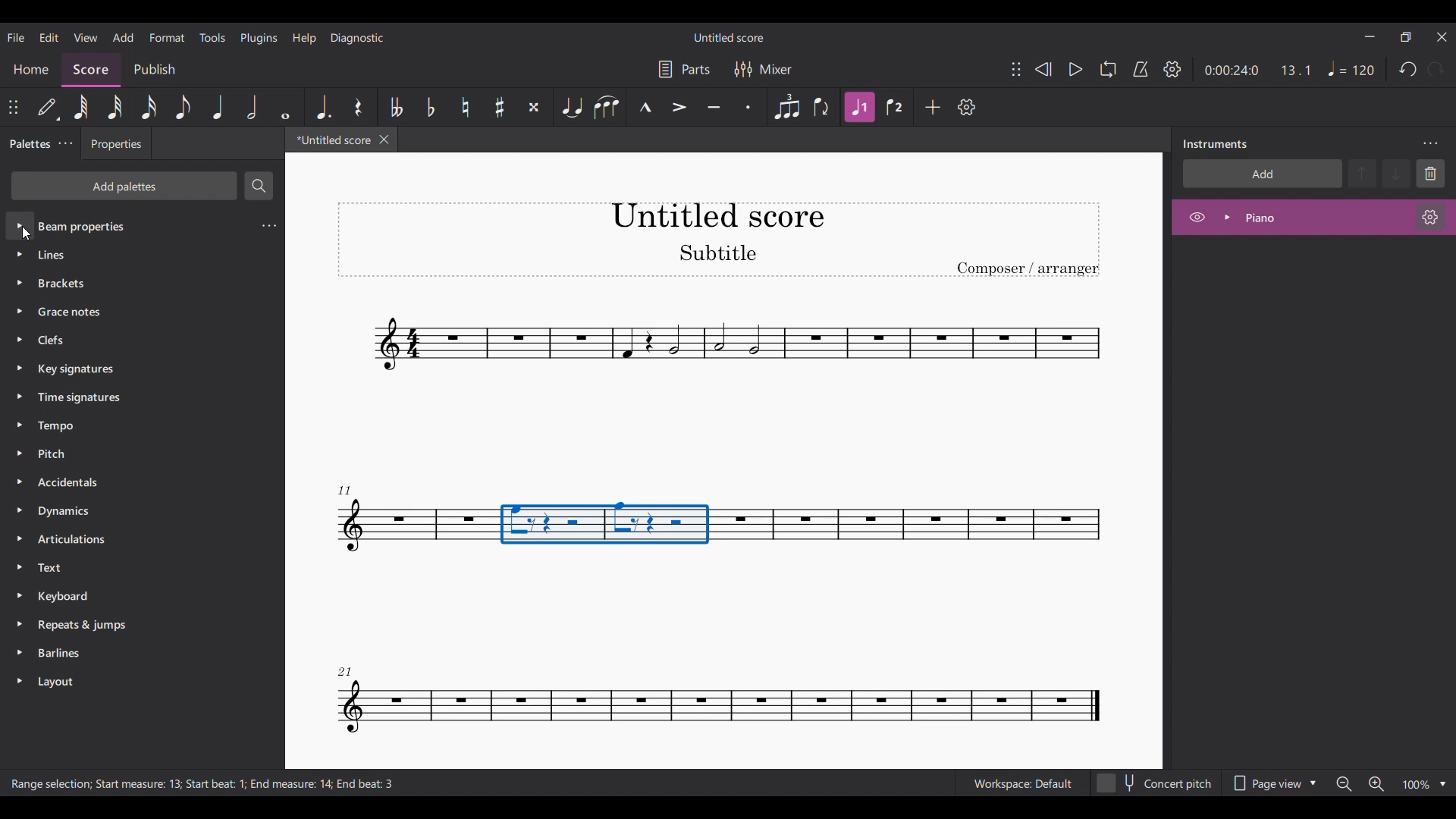  I want to click on Customize toolbar, so click(966, 108).